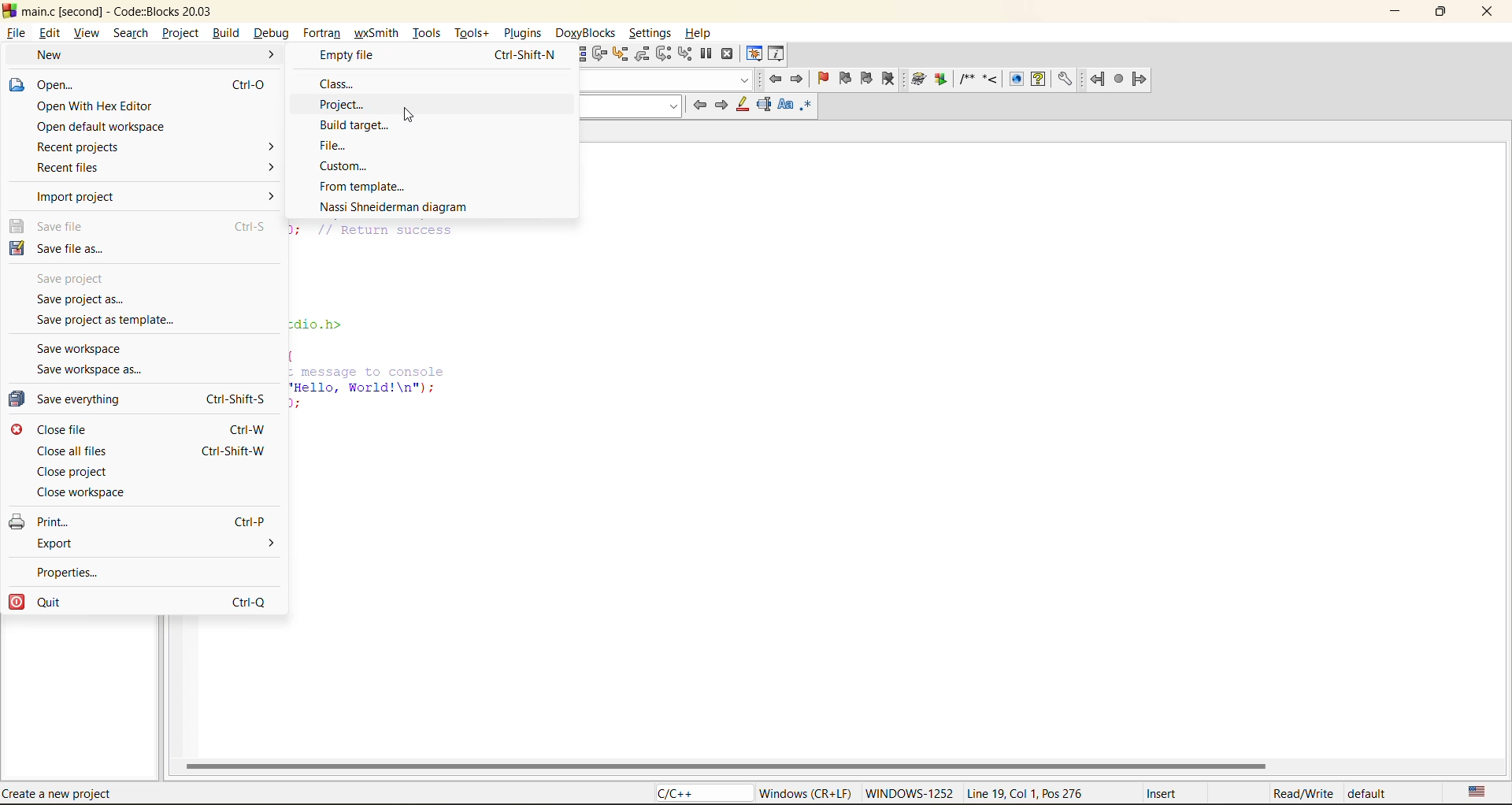  Describe the element at coordinates (78, 298) in the screenshot. I see `save project as` at that location.